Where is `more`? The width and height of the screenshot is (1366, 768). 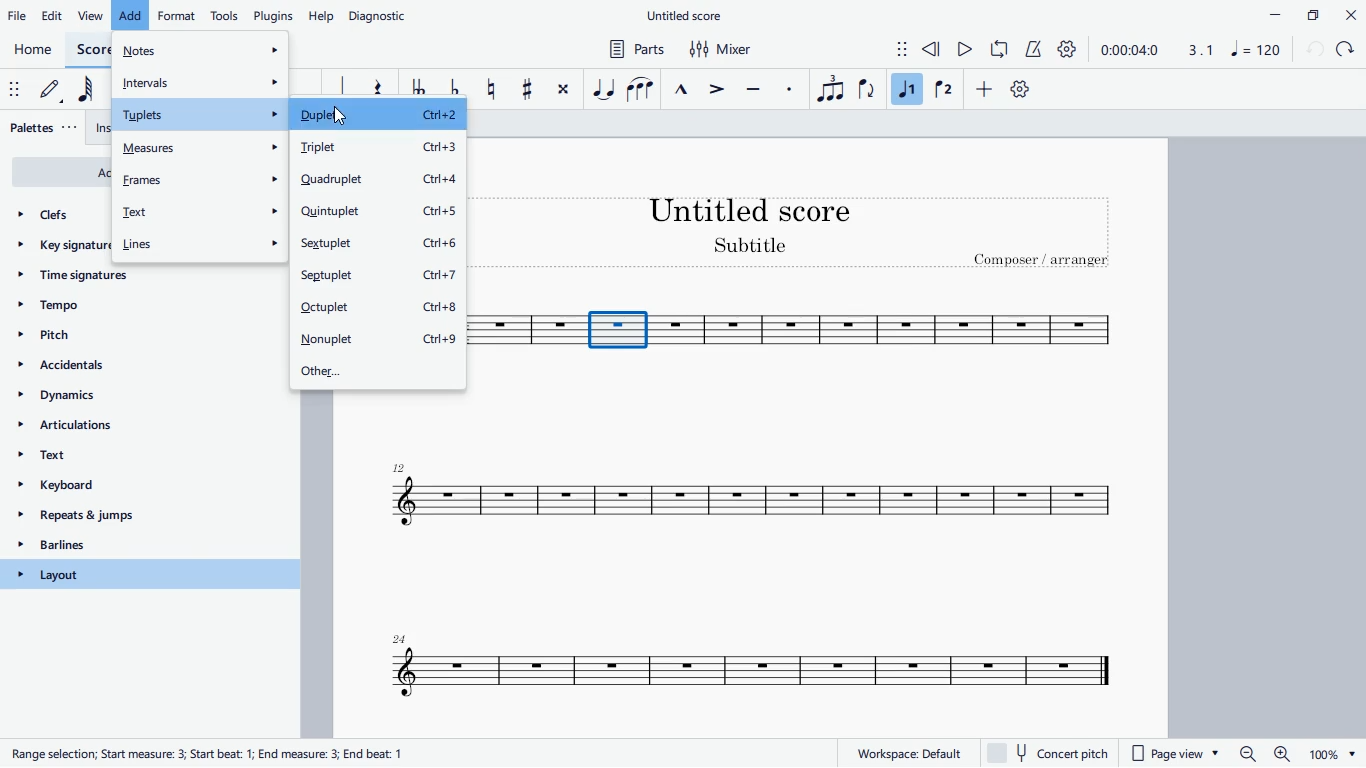 more is located at coordinates (987, 92).